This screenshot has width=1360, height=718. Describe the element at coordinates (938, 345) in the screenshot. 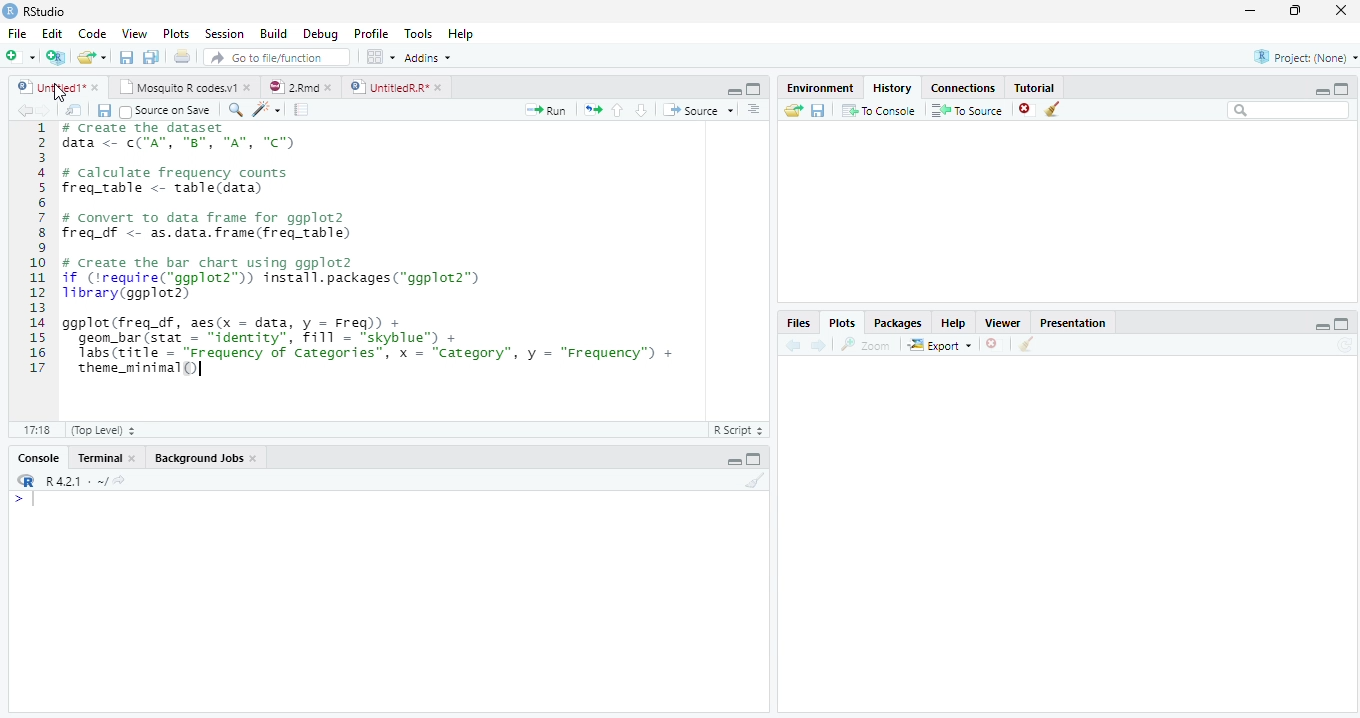

I see `Export` at that location.